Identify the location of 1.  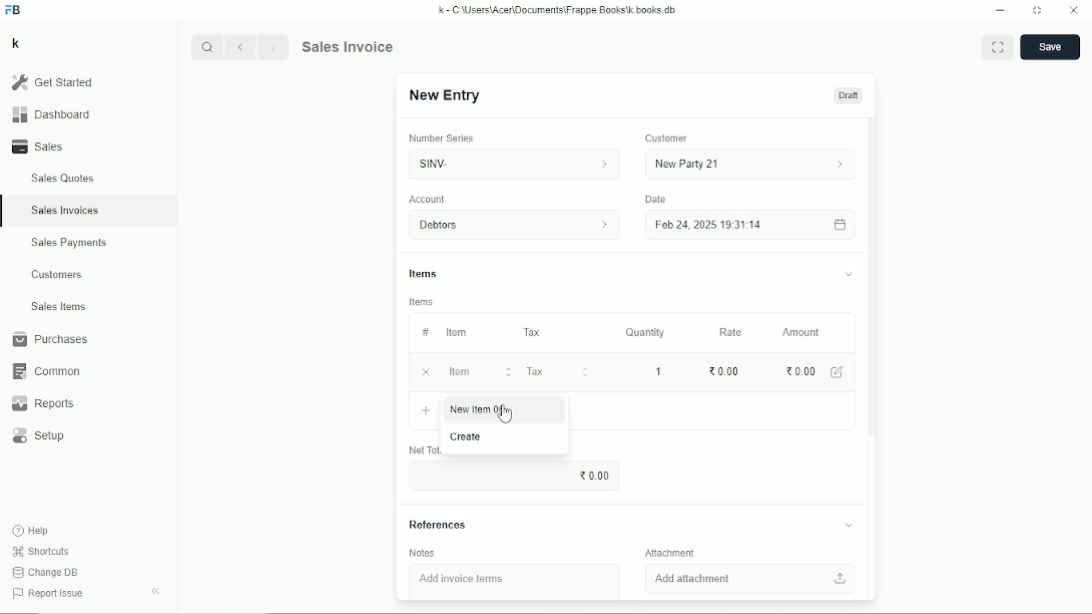
(661, 371).